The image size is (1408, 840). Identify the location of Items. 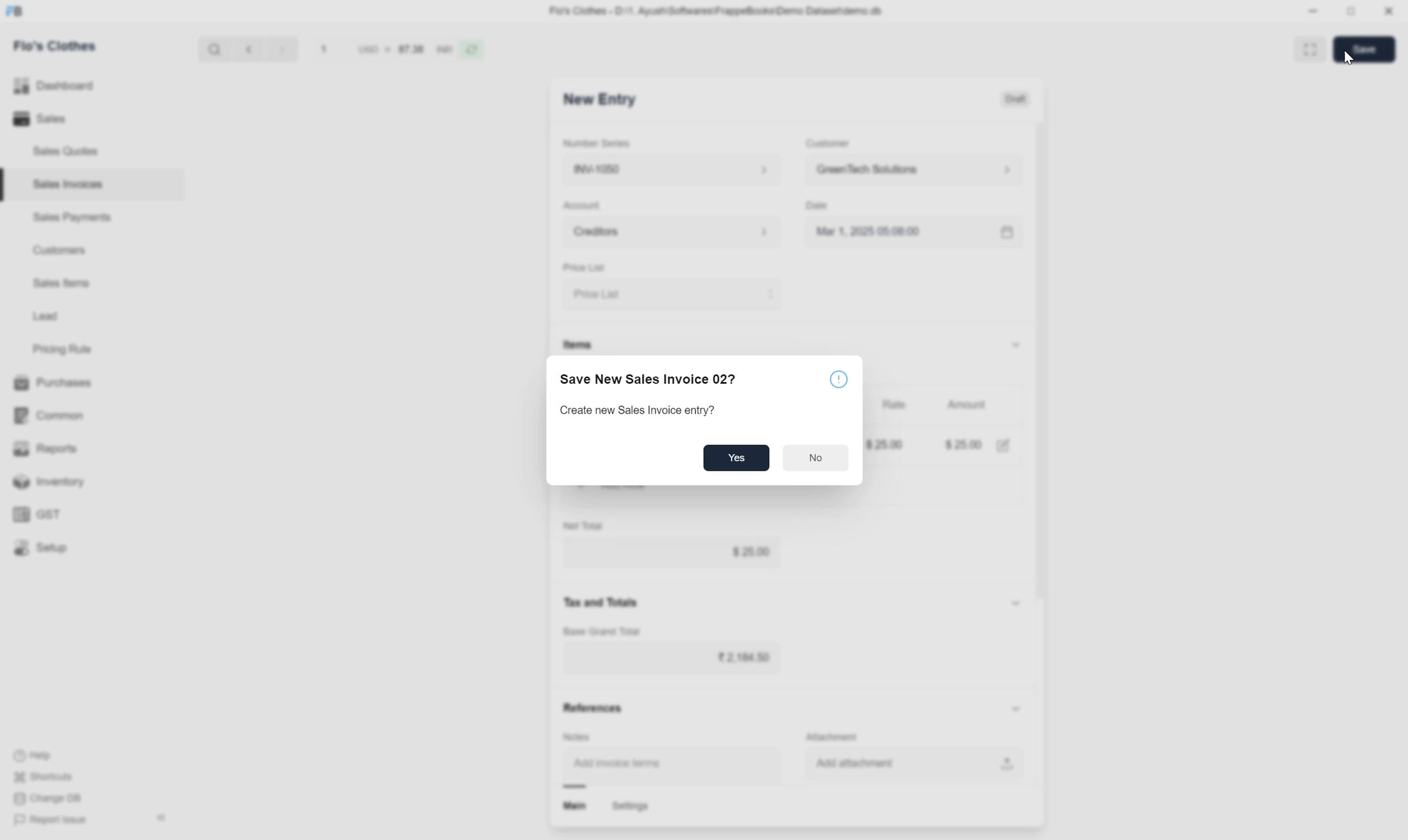
(577, 344).